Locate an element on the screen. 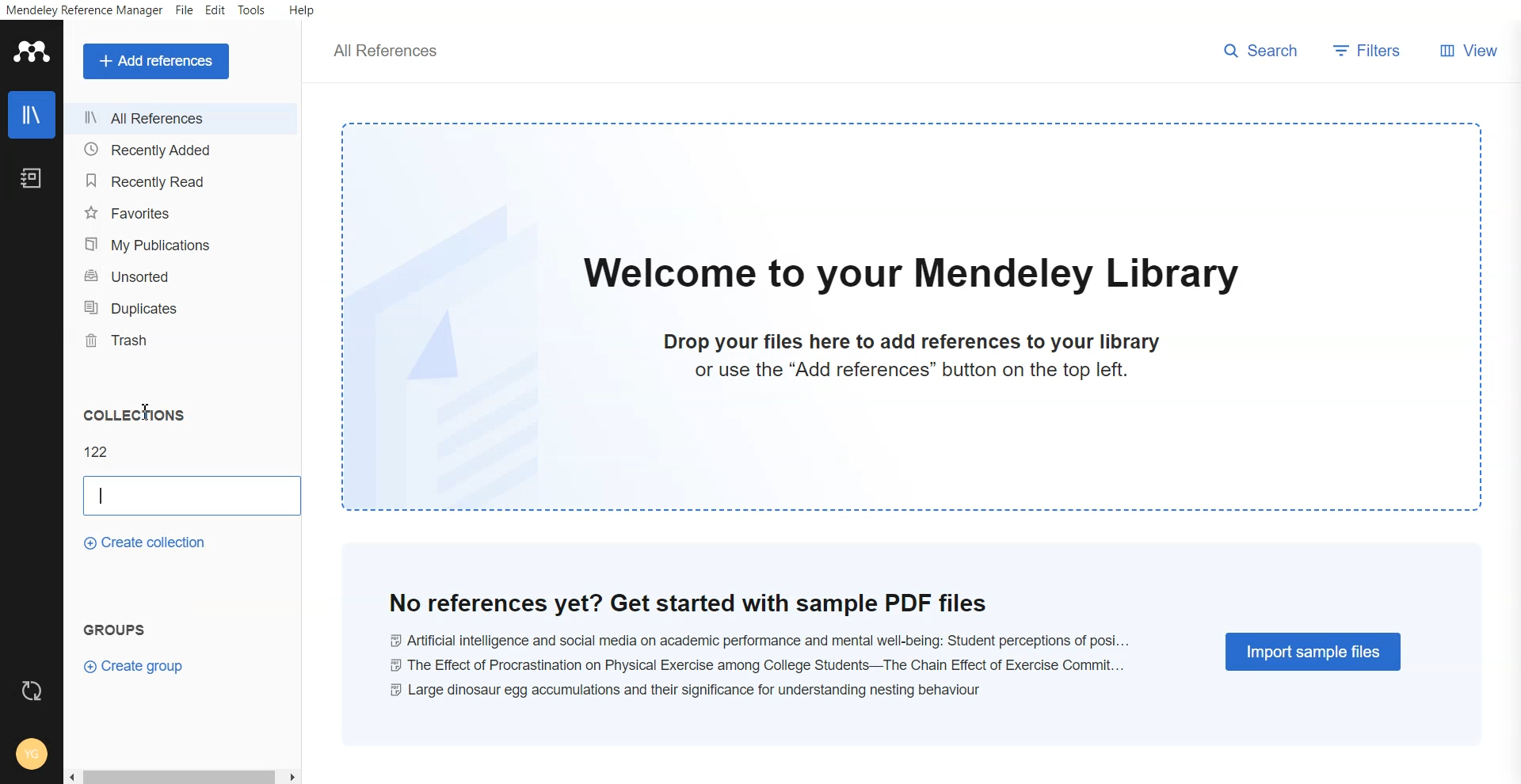  My publications is located at coordinates (182, 244).